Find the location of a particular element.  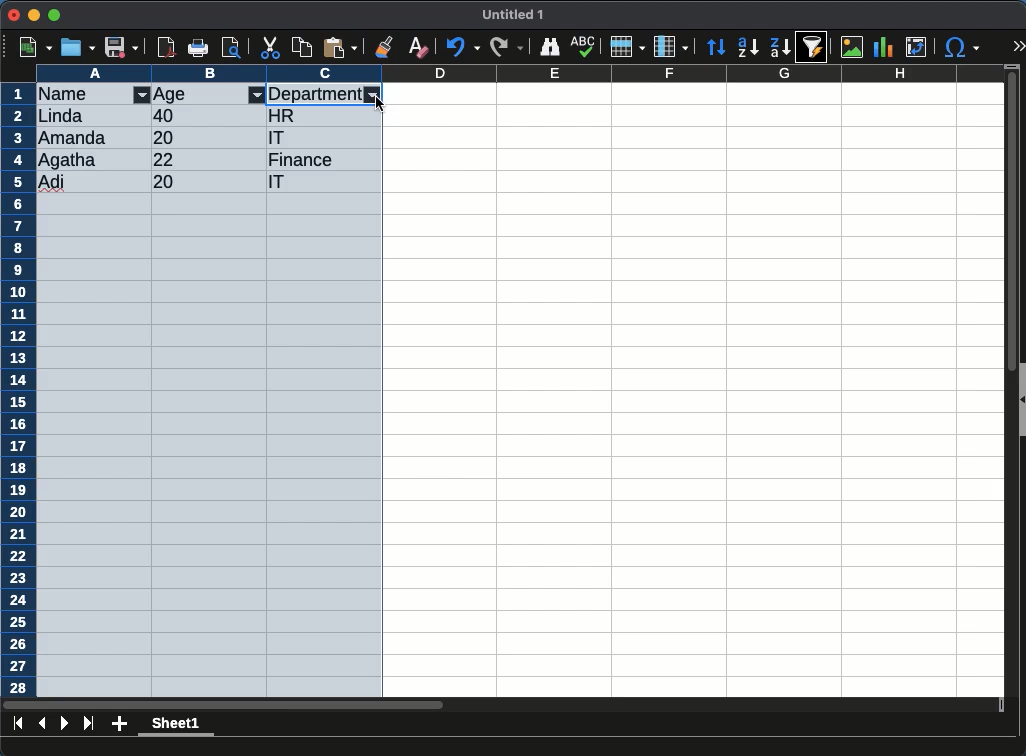

close is located at coordinates (14, 16).